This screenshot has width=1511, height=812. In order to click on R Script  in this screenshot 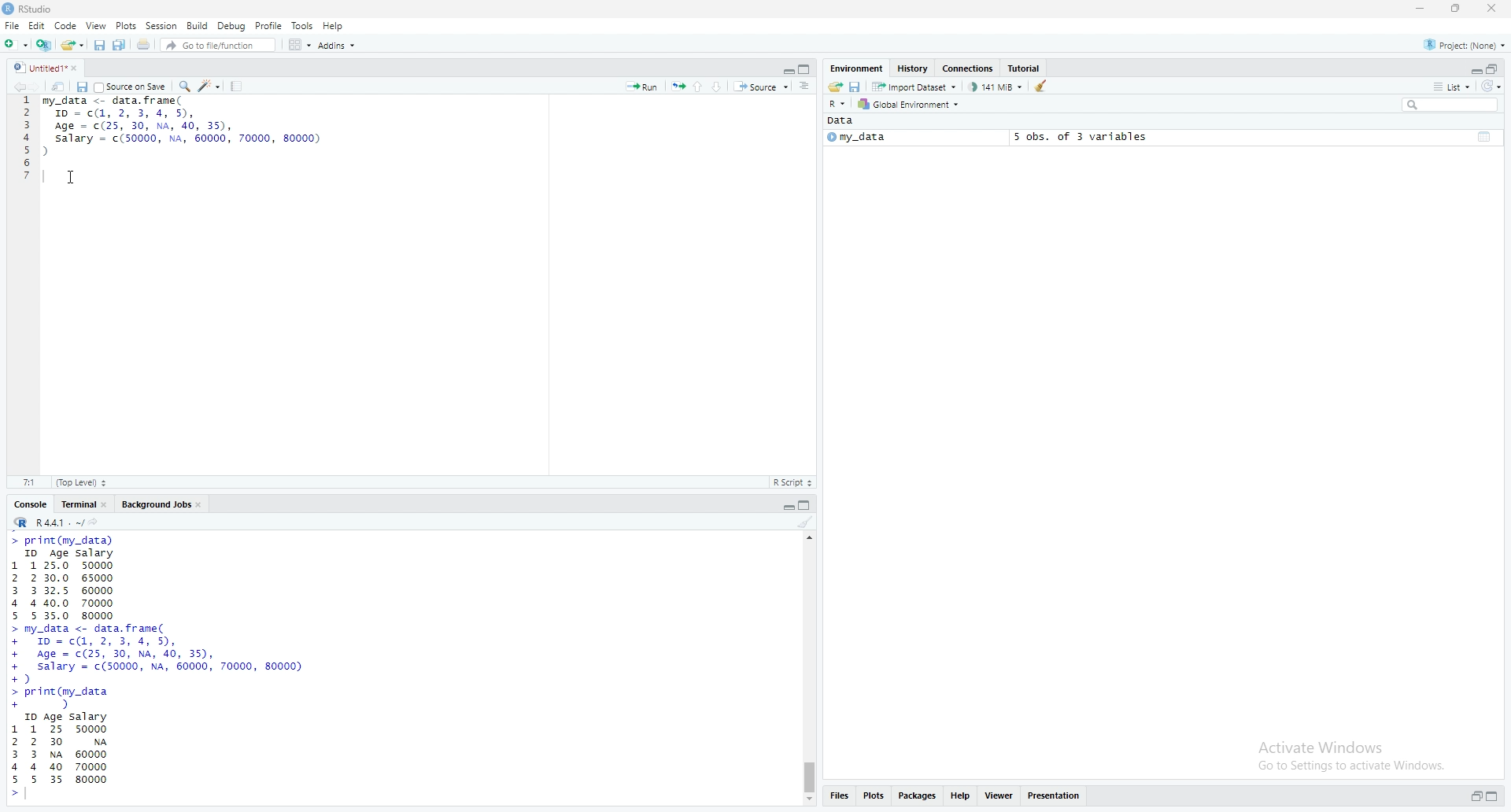, I will do `click(792, 483)`.